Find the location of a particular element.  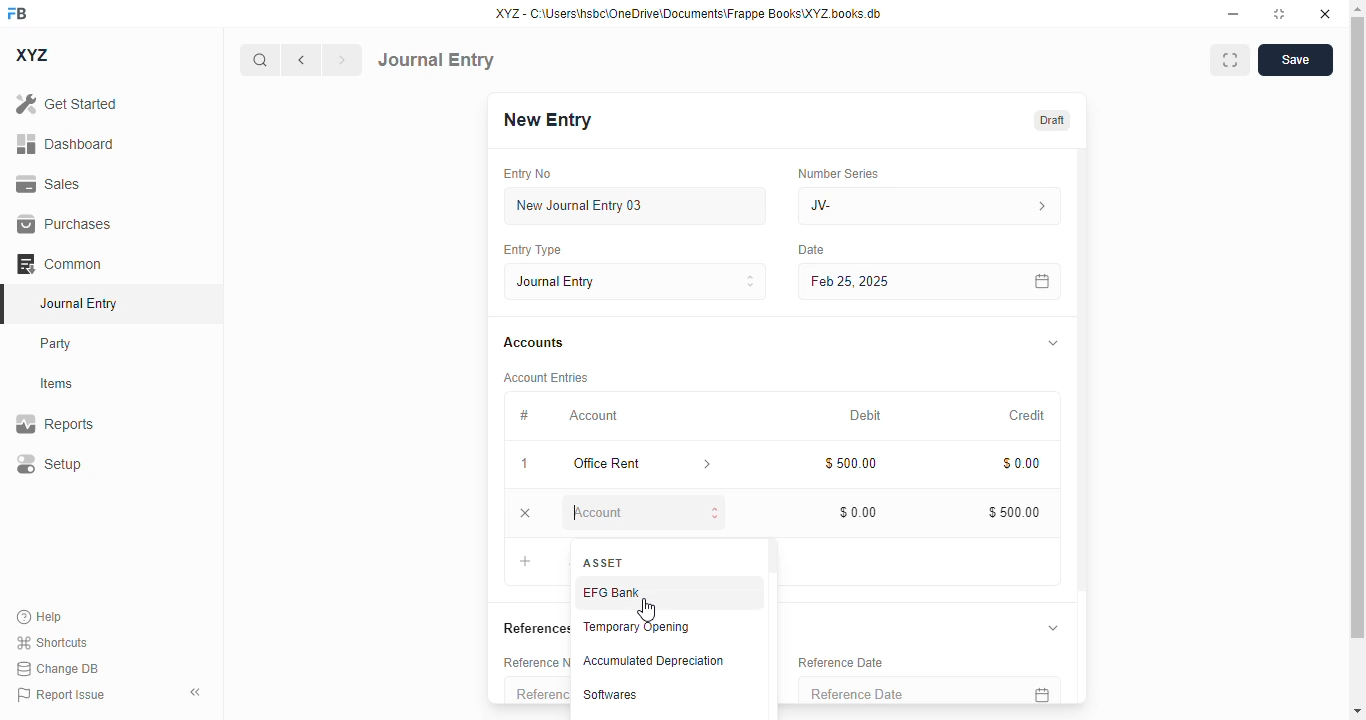

reference number is located at coordinates (536, 690).